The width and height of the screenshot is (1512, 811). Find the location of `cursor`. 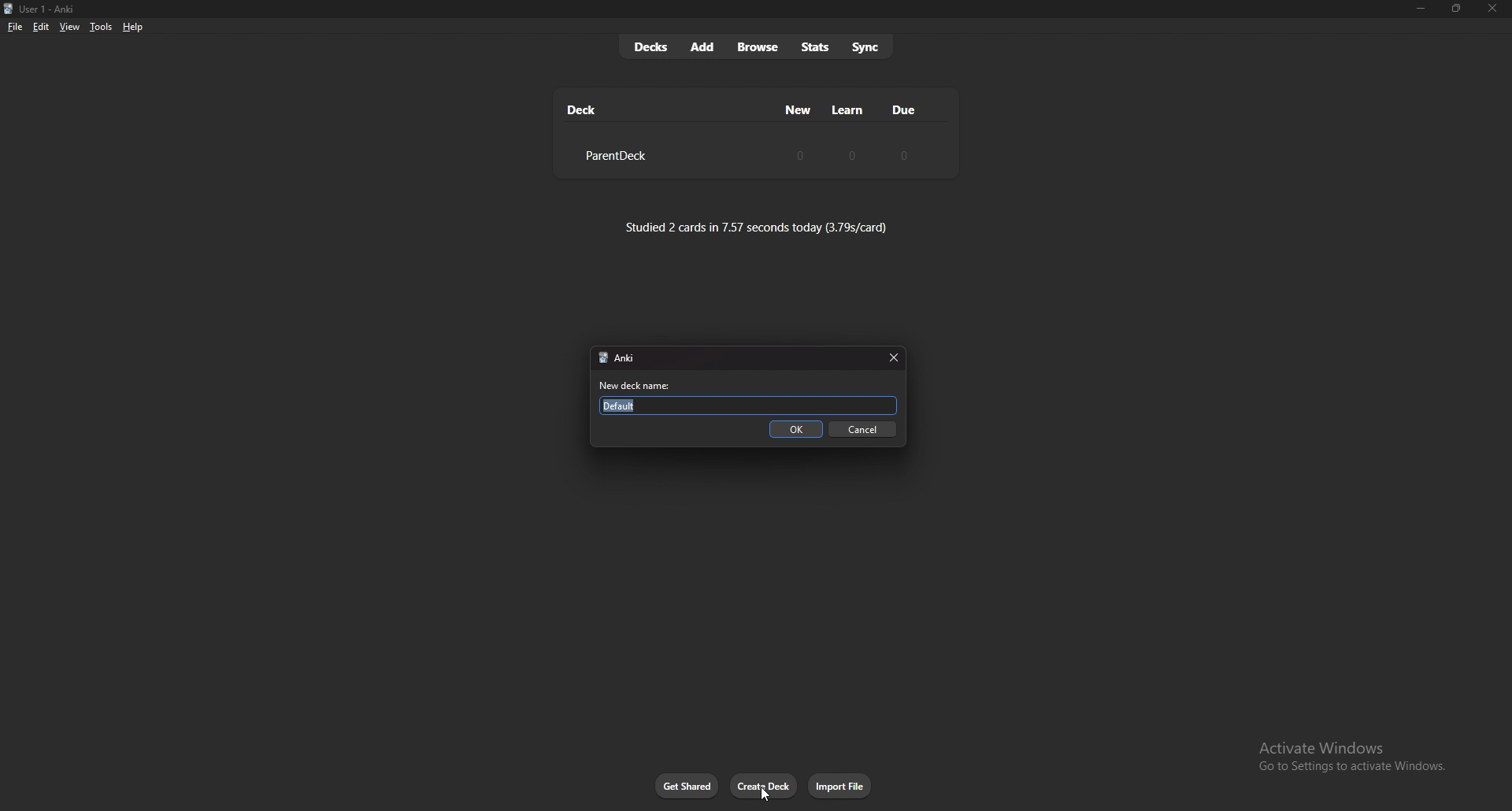

cursor is located at coordinates (765, 793).